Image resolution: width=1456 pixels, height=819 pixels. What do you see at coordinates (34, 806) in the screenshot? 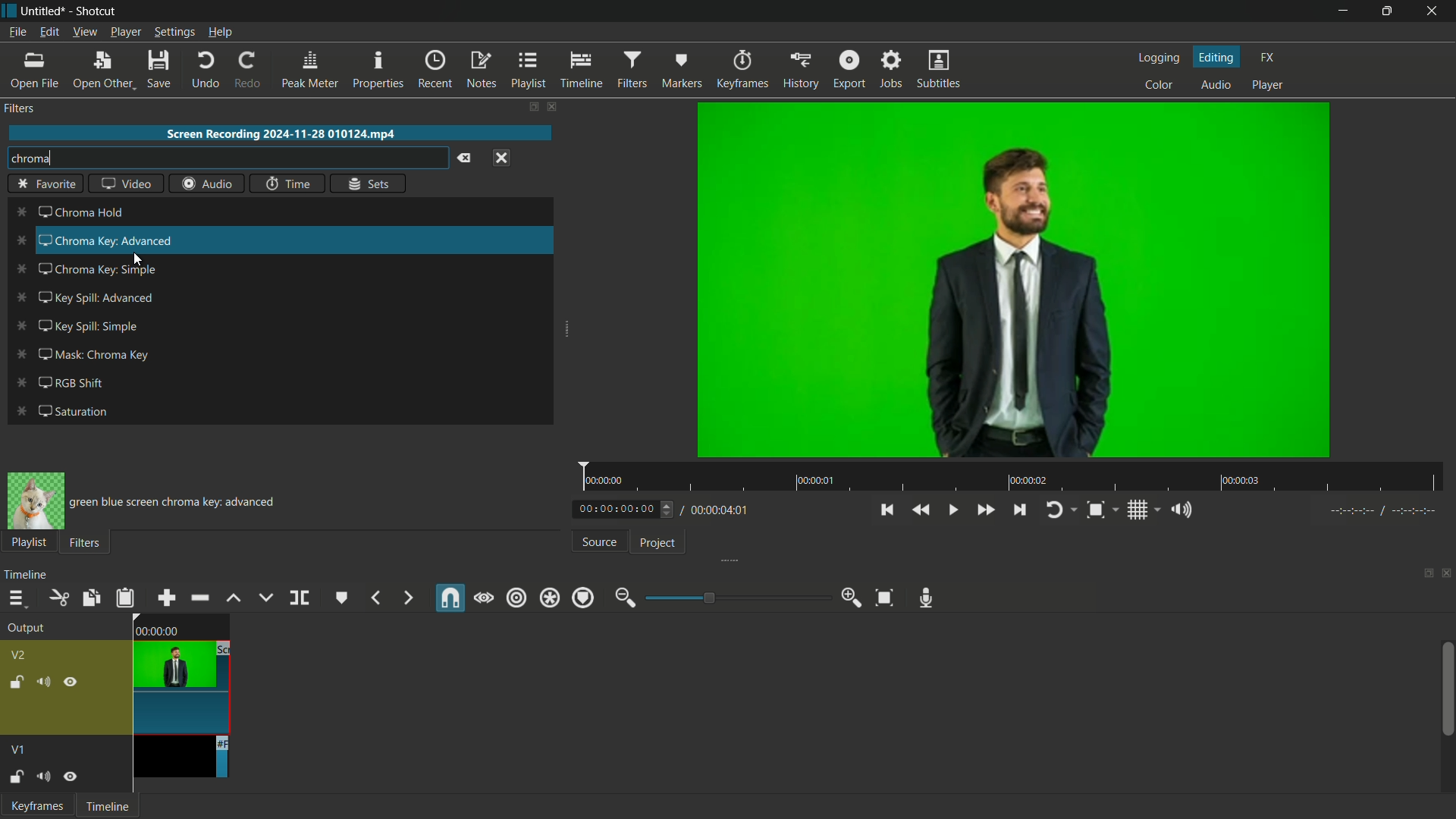
I see `keyframe` at bounding box center [34, 806].